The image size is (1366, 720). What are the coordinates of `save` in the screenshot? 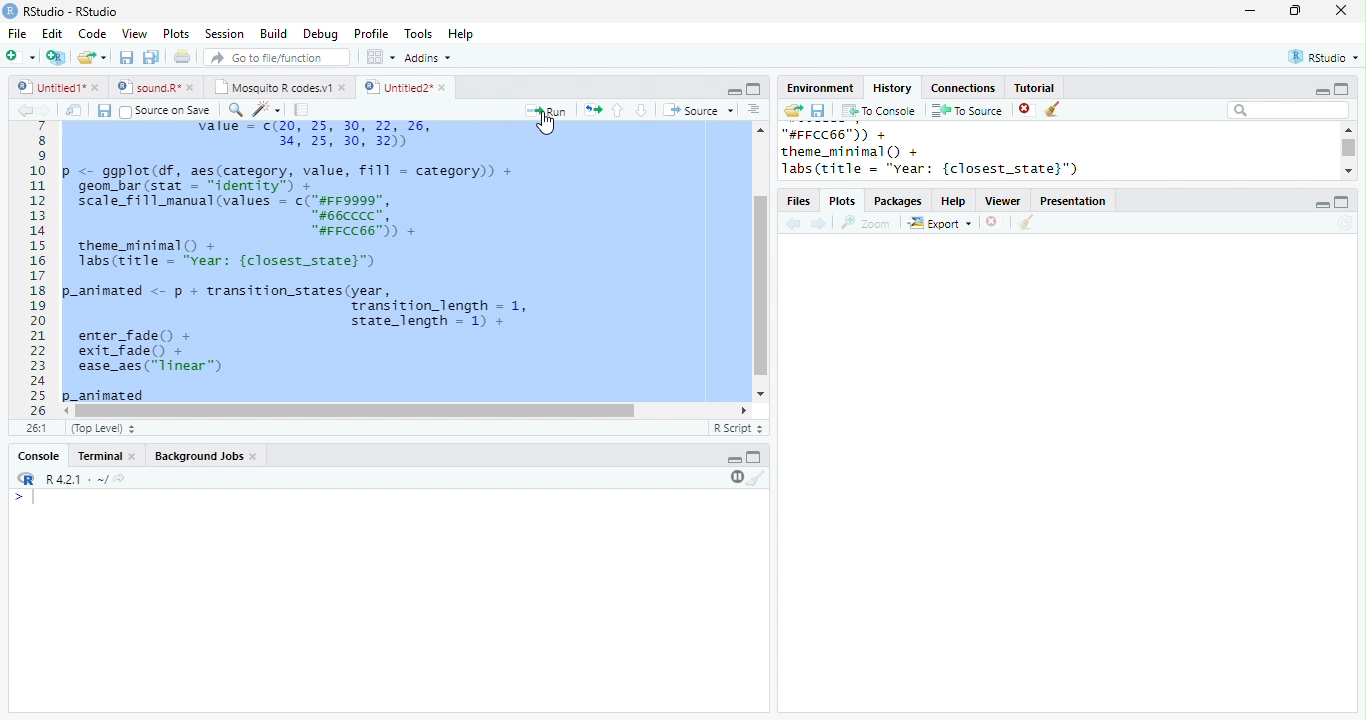 It's located at (126, 57).